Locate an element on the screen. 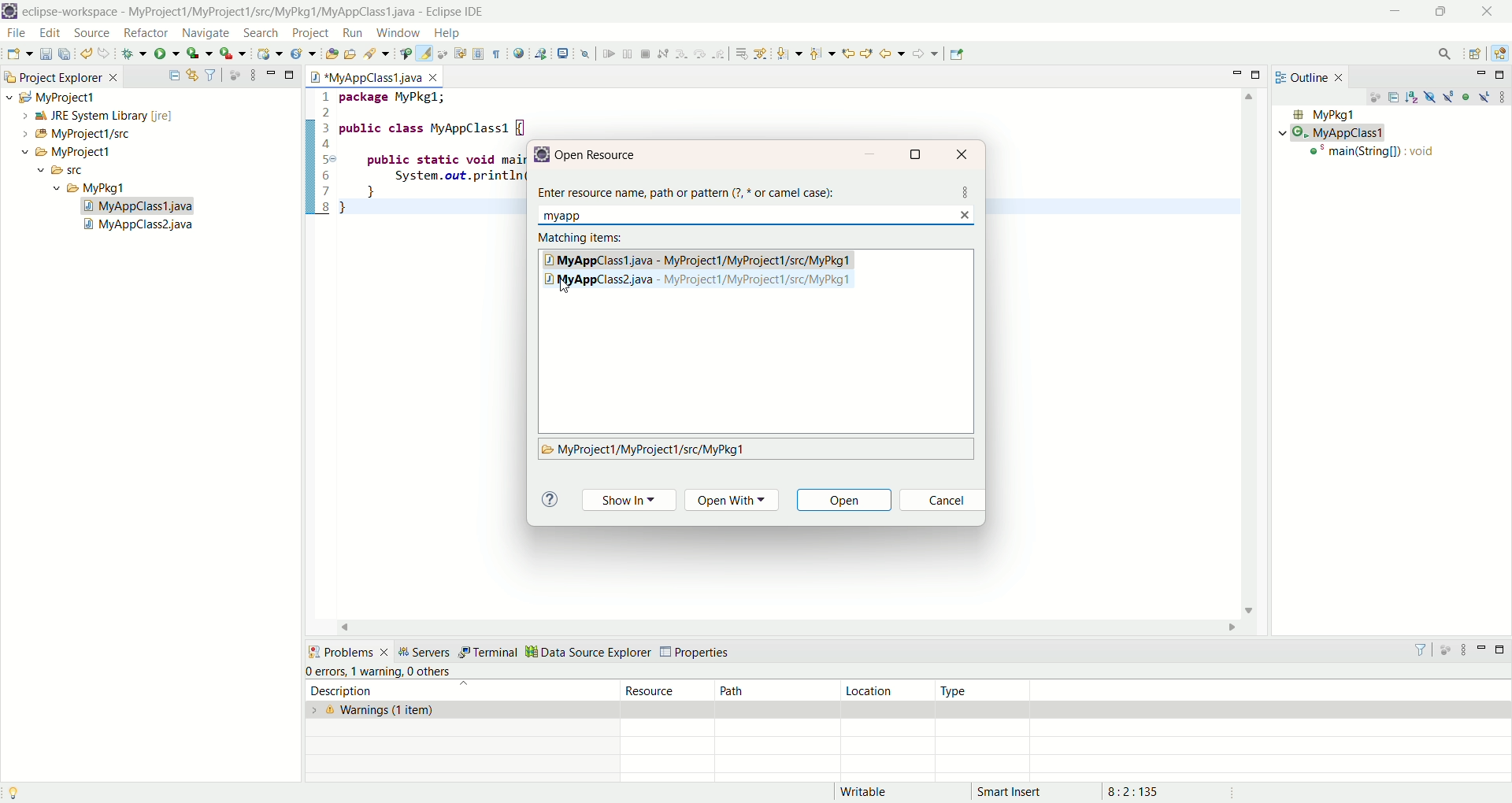 Image resolution: width=1512 pixels, height=803 pixels. cursor is located at coordinates (566, 287).